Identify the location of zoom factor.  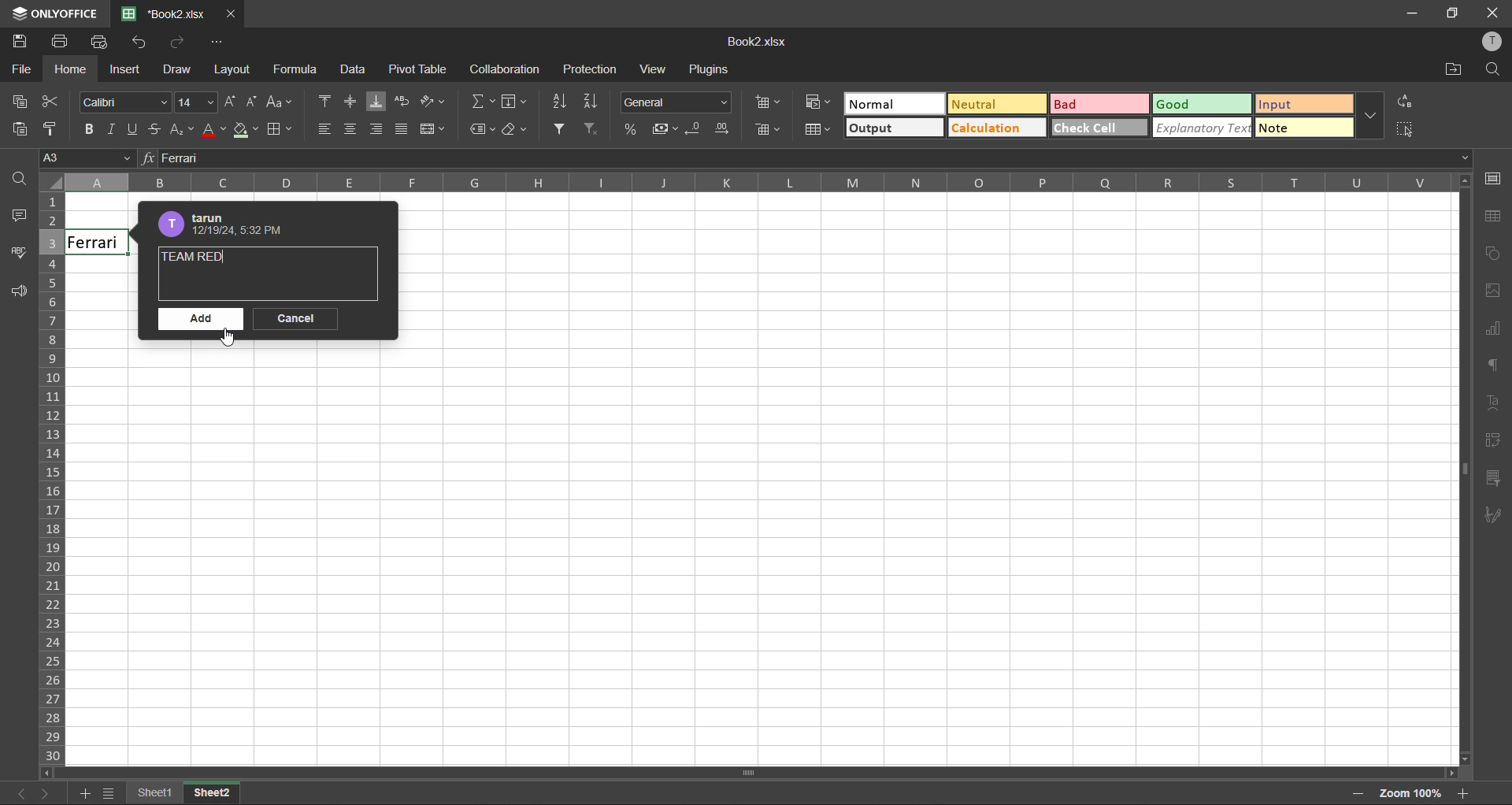
(1411, 793).